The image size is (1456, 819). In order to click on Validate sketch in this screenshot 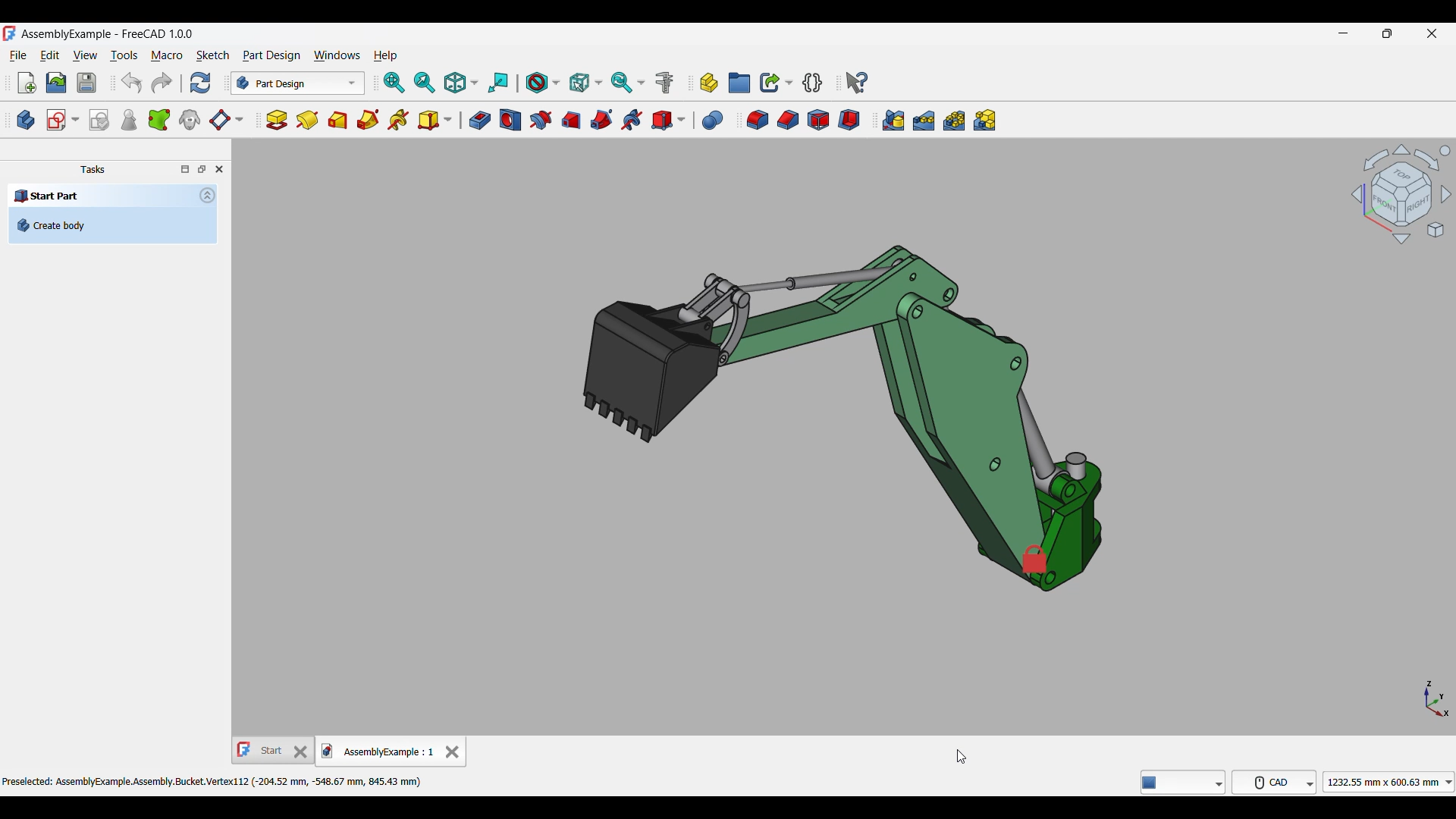, I will do `click(99, 121)`.